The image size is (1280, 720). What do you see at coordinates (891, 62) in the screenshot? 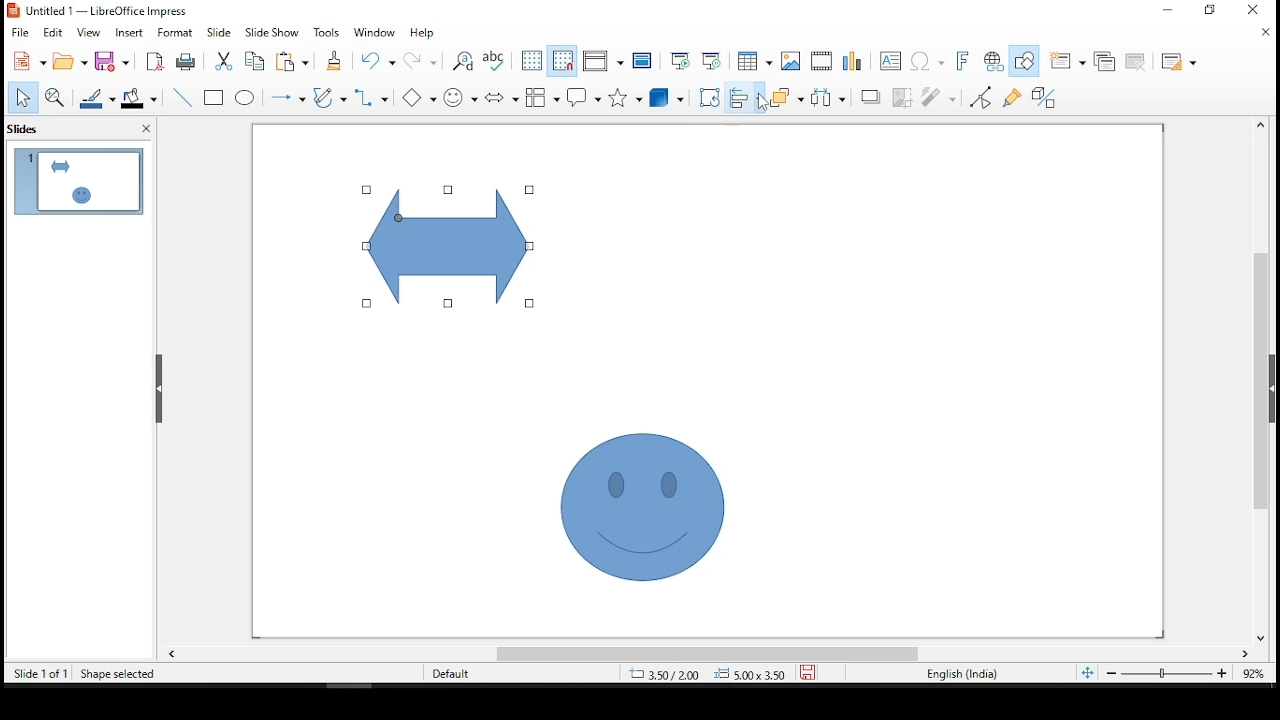
I see `text box` at bounding box center [891, 62].